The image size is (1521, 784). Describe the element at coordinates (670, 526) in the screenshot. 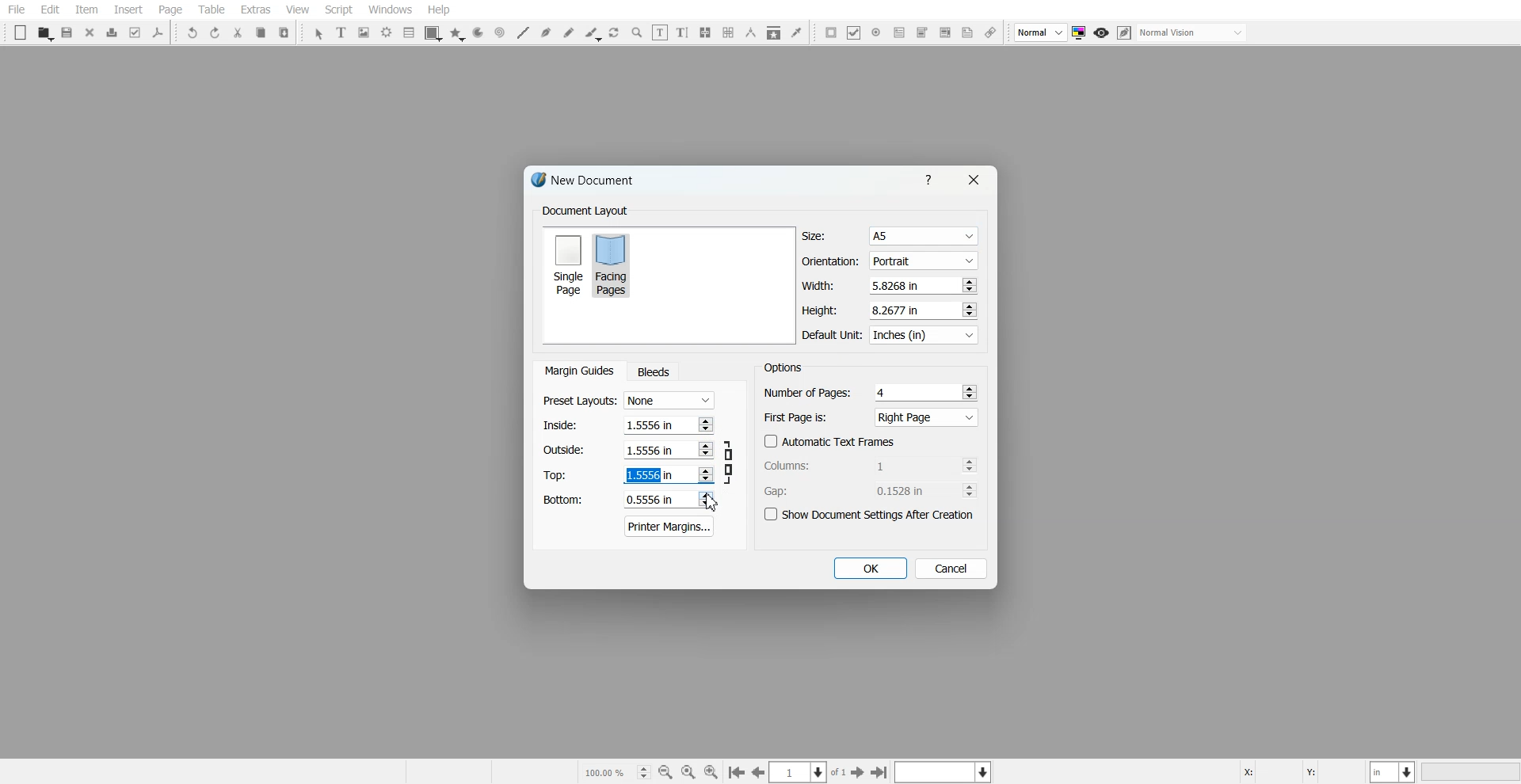

I see `Printer Margins` at that location.